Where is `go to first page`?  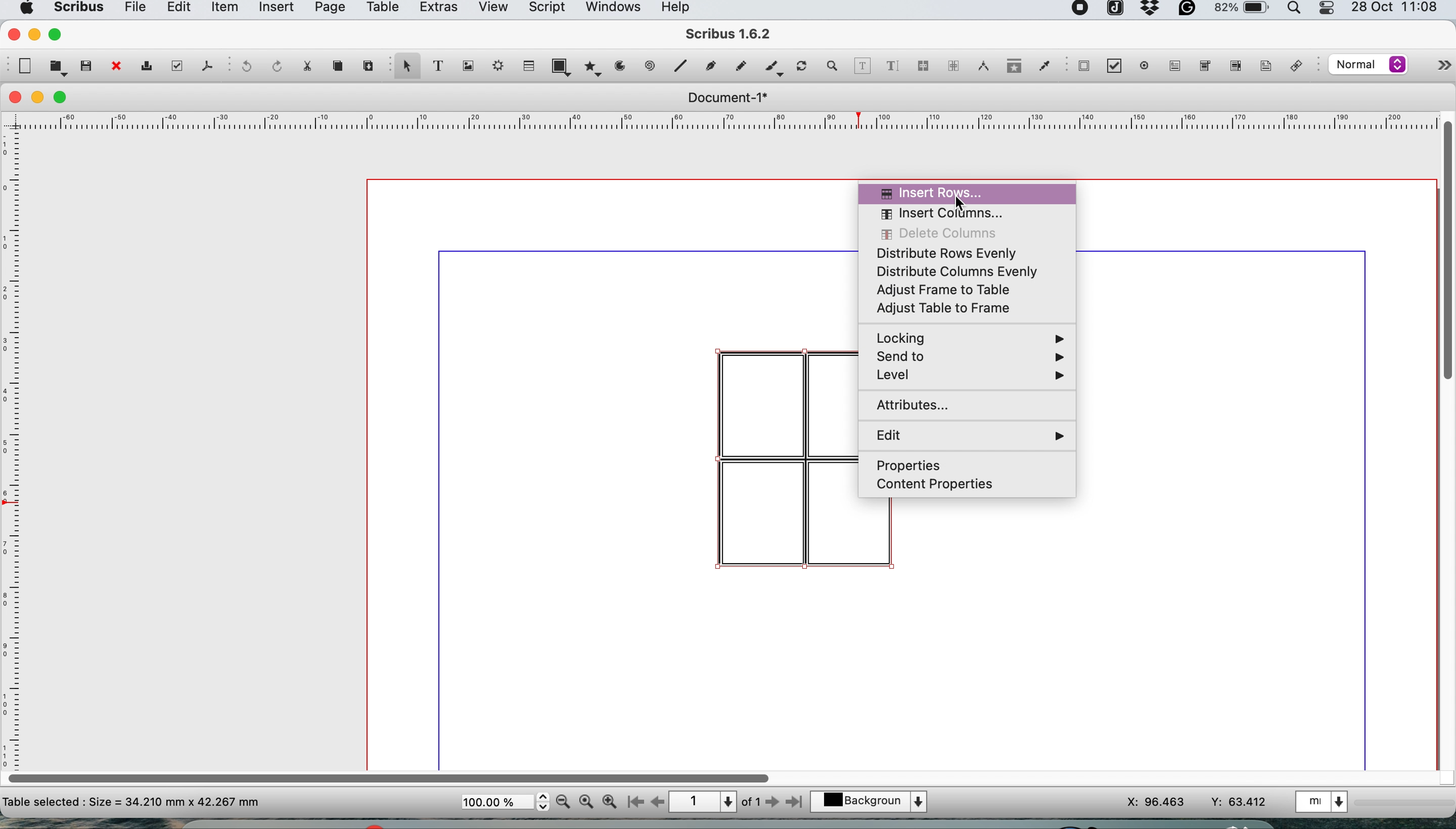
go to first page is located at coordinates (634, 803).